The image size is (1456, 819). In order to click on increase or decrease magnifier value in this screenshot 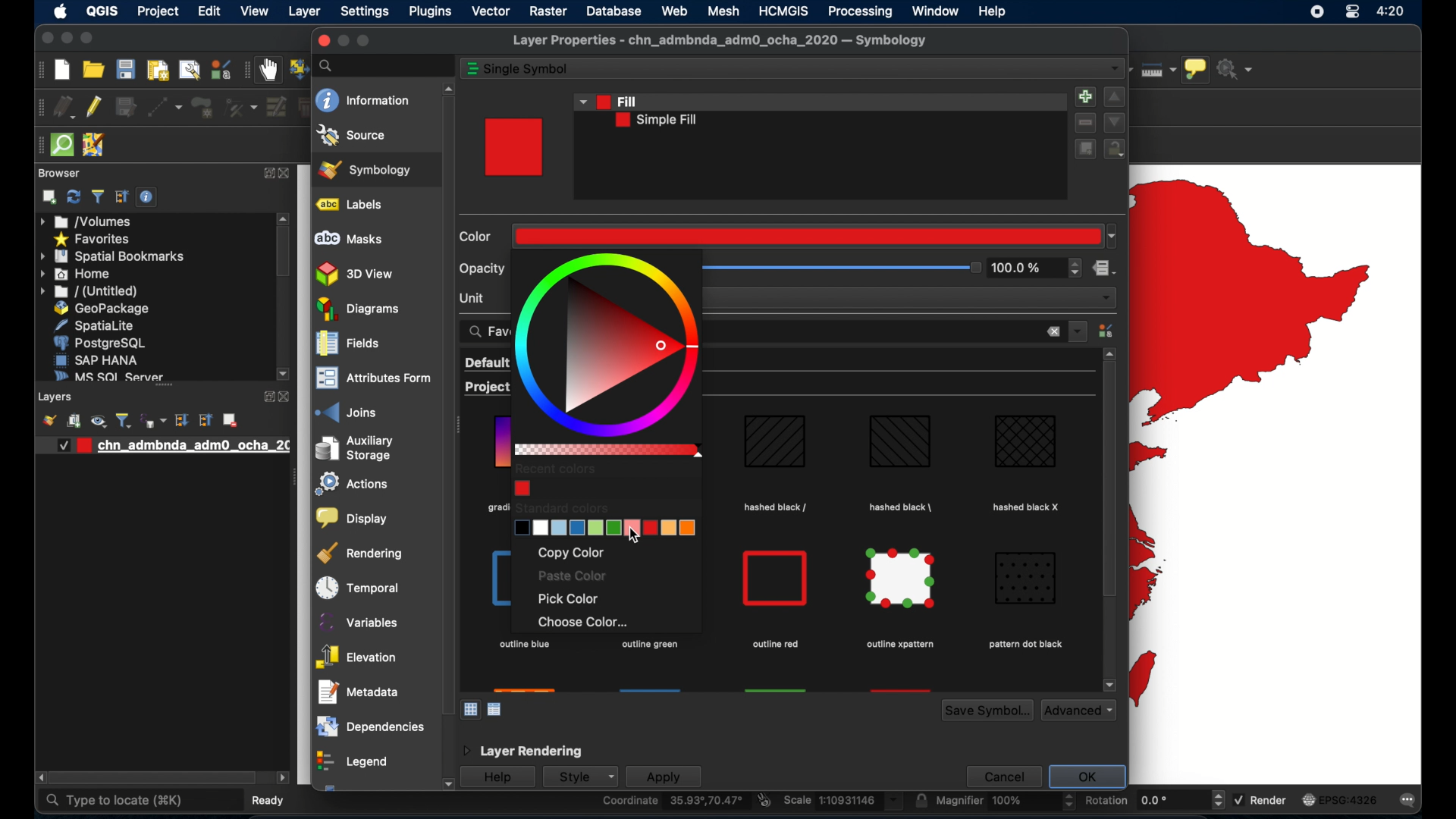, I will do `click(1069, 802)`.